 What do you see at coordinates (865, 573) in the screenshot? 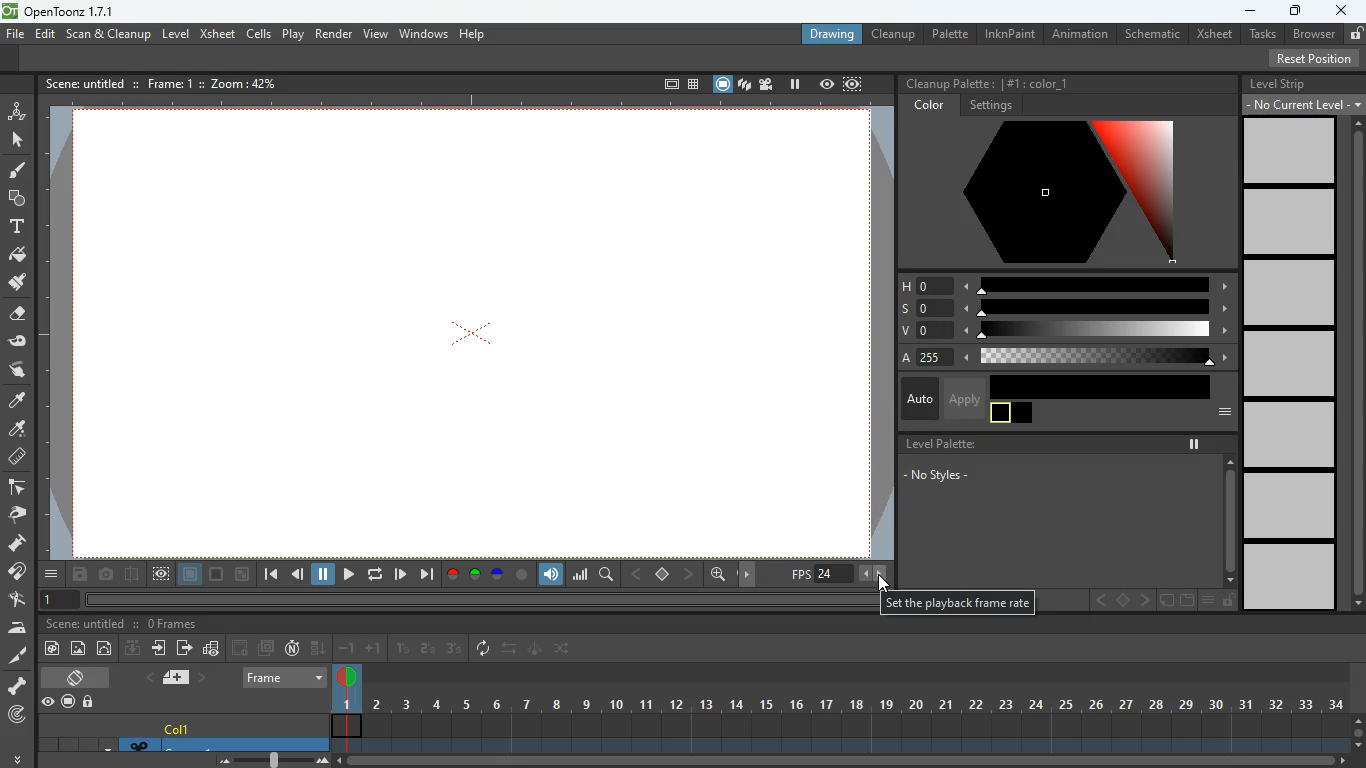
I see `less` at bounding box center [865, 573].